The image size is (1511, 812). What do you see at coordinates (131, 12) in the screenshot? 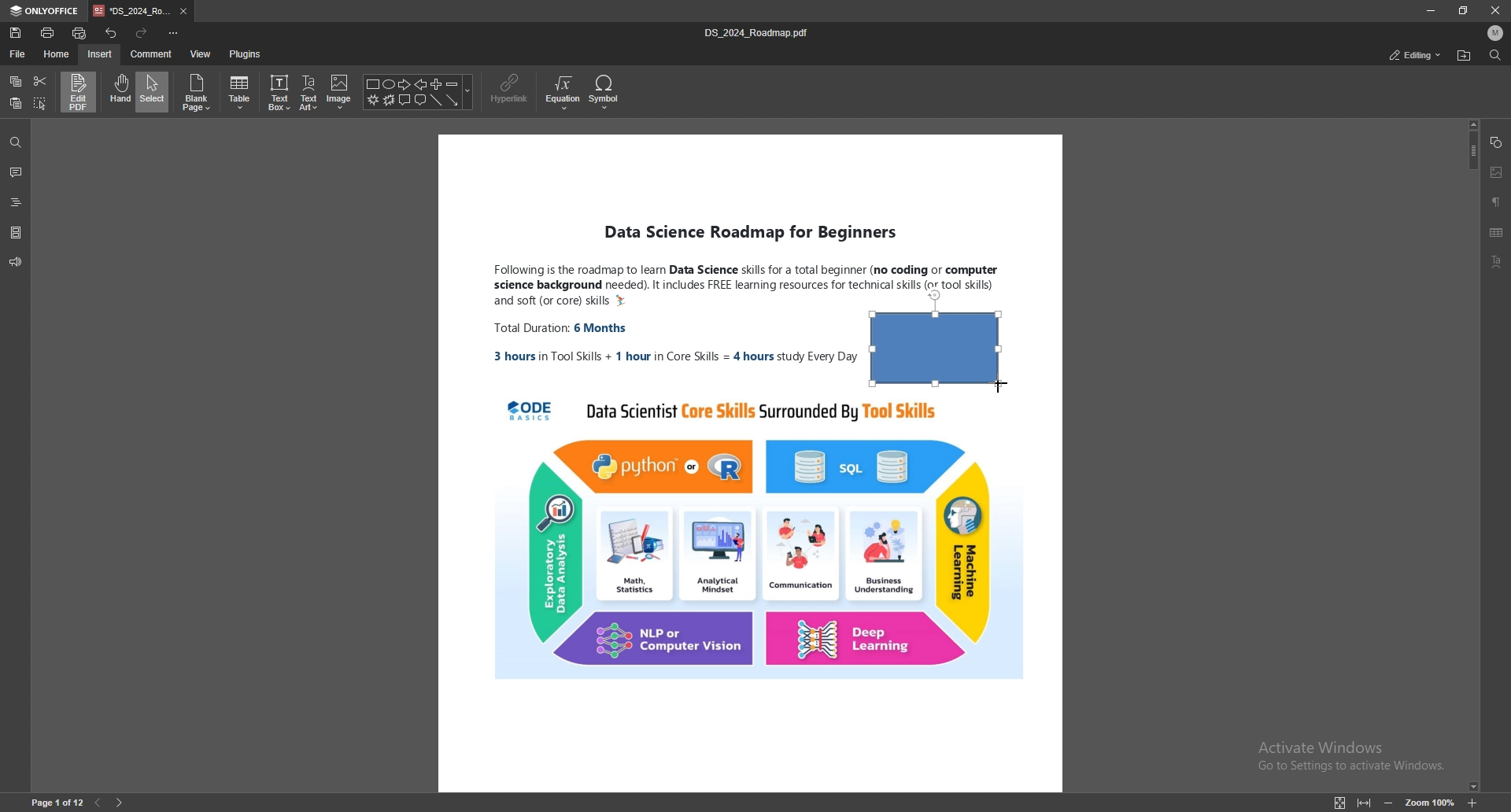
I see `tab` at bounding box center [131, 12].